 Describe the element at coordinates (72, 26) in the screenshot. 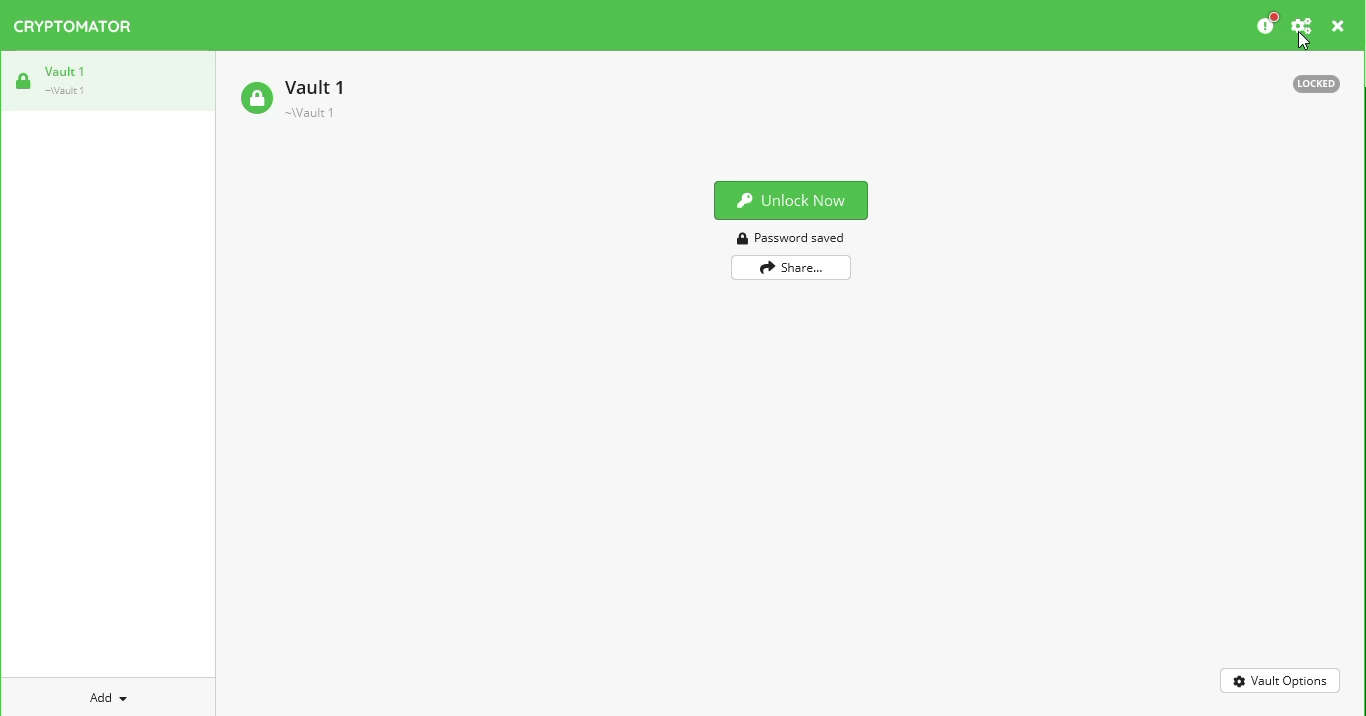

I see `cryptomator` at that location.